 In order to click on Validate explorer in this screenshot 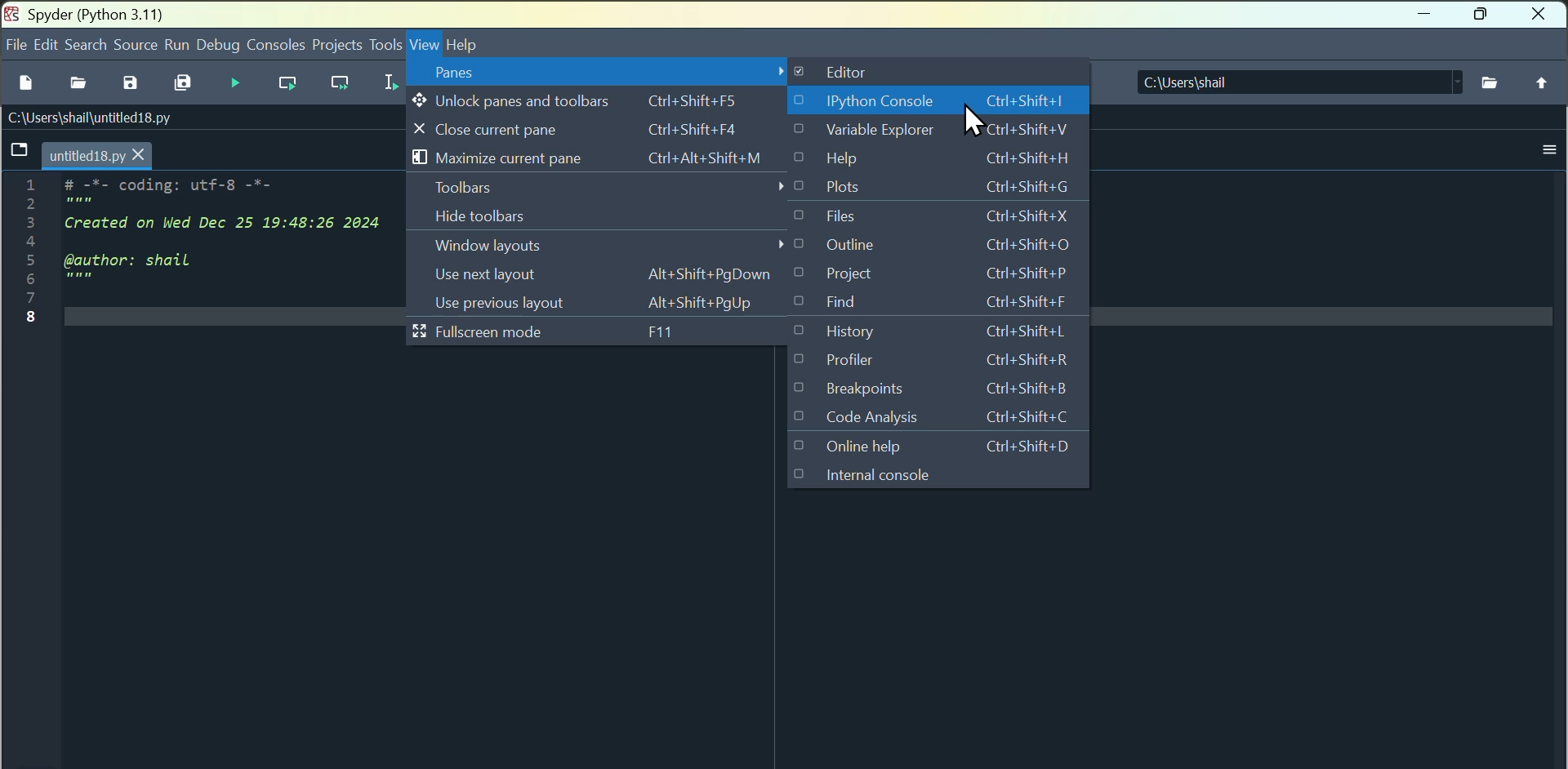, I will do `click(941, 130)`.